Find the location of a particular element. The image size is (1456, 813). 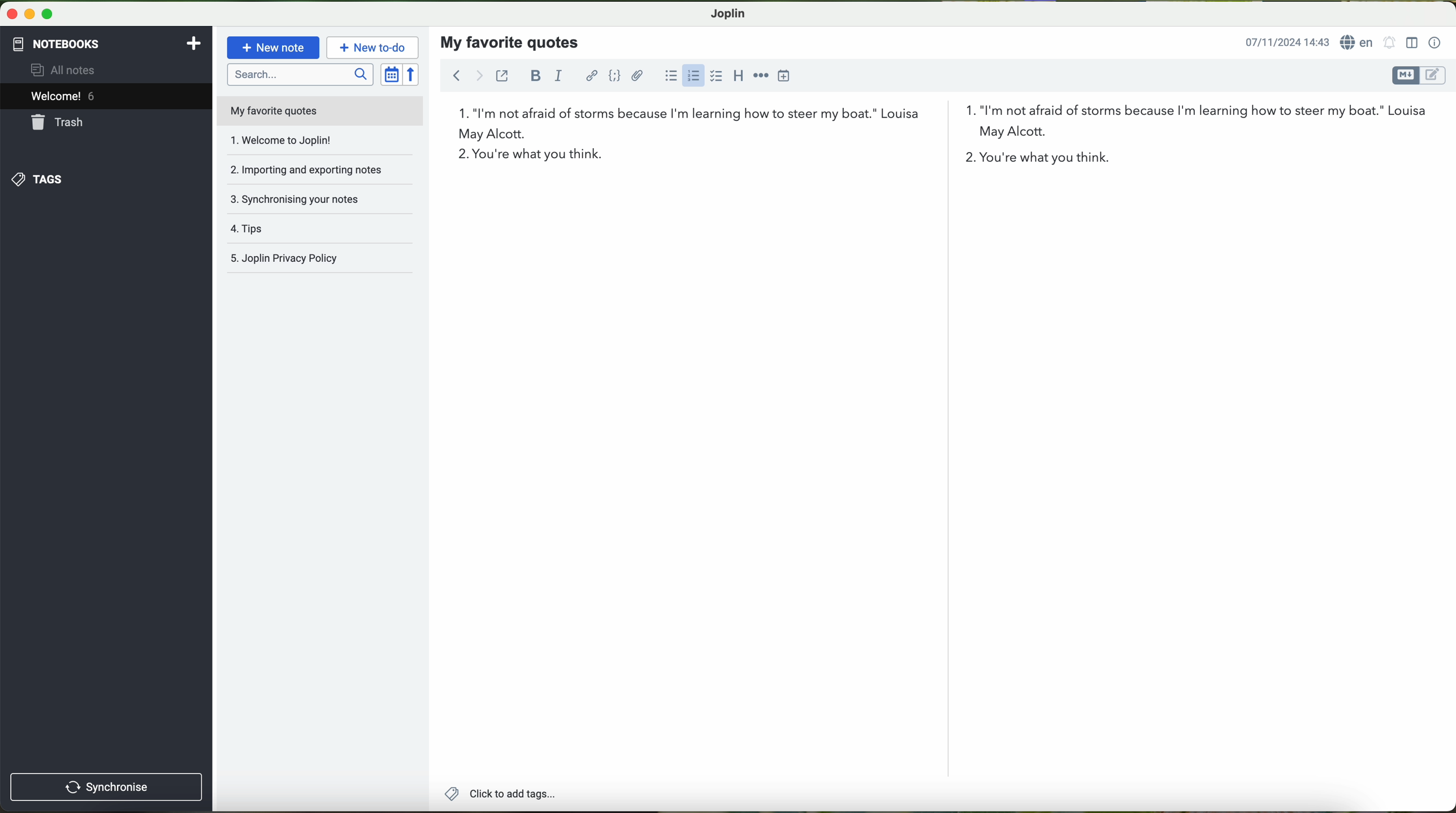

tags is located at coordinates (318, 228).